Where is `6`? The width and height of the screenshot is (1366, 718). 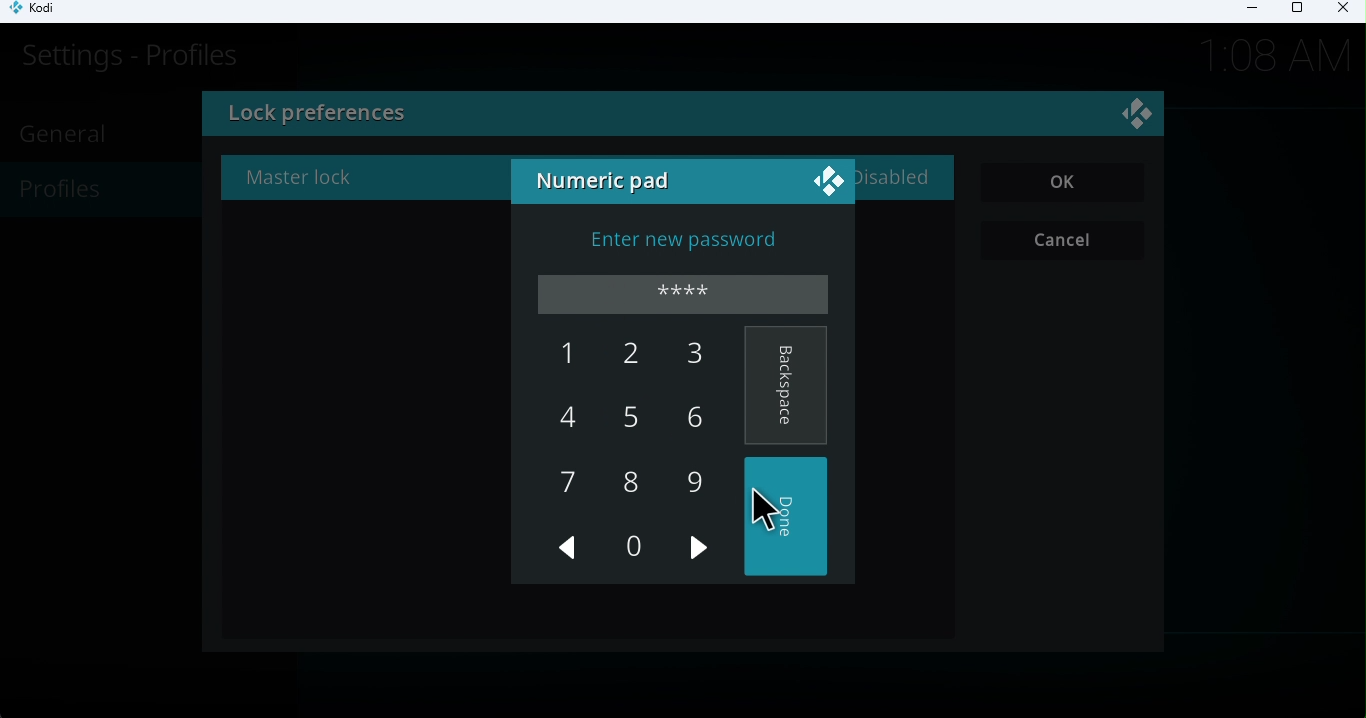 6 is located at coordinates (689, 416).